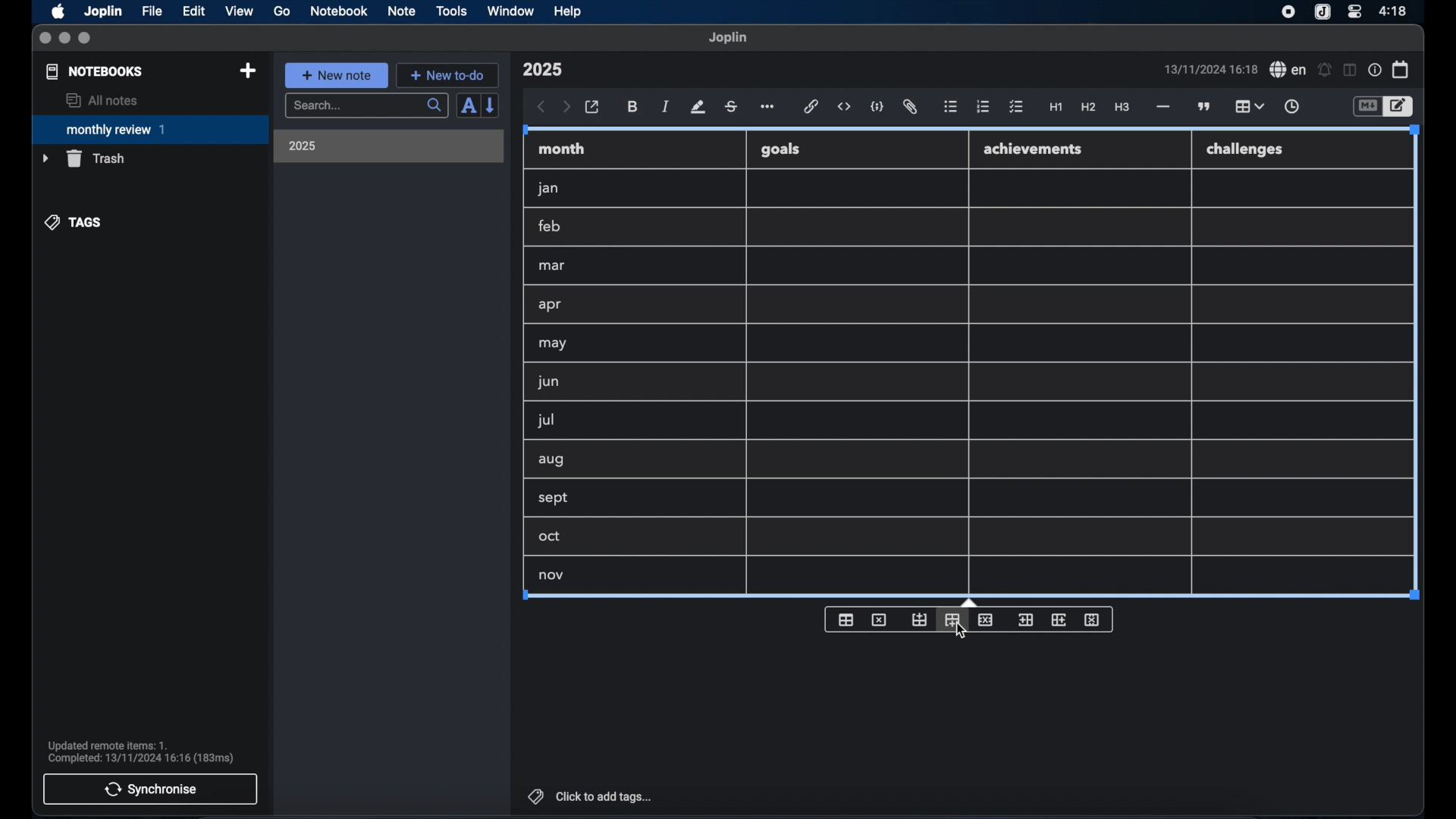  I want to click on reverse sort order, so click(491, 105).